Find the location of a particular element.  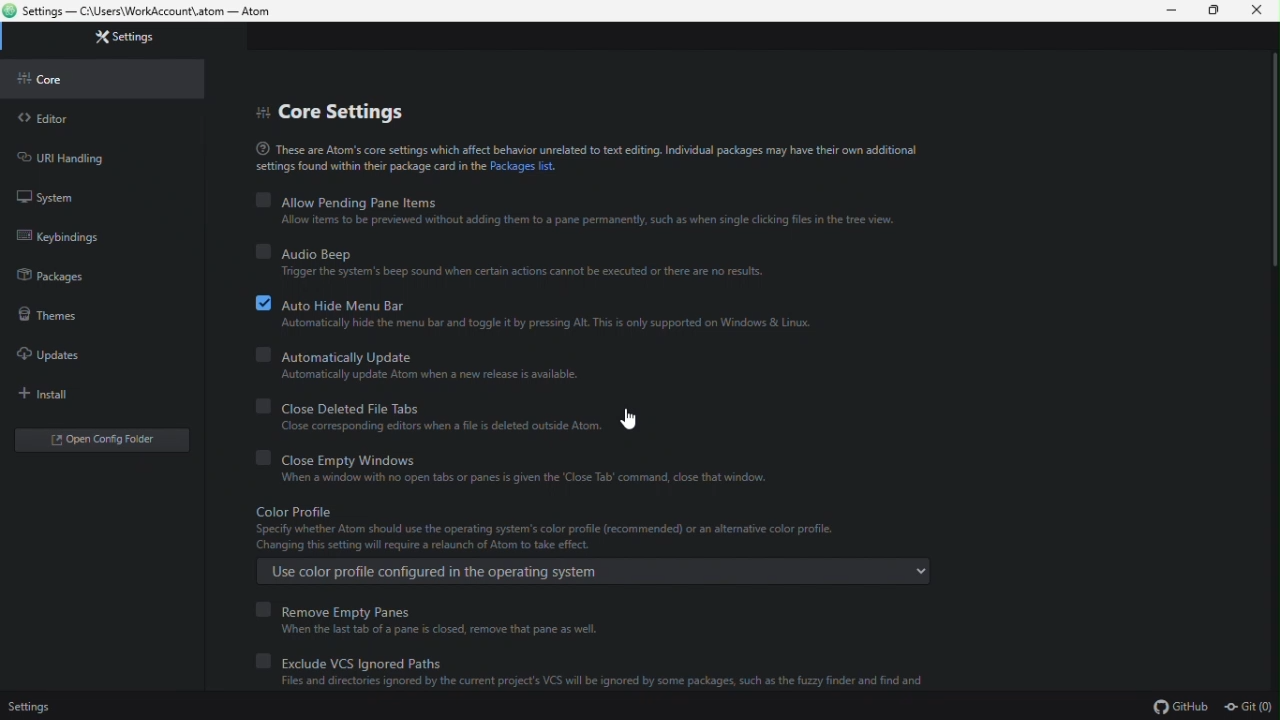

settings is located at coordinates (110, 40).